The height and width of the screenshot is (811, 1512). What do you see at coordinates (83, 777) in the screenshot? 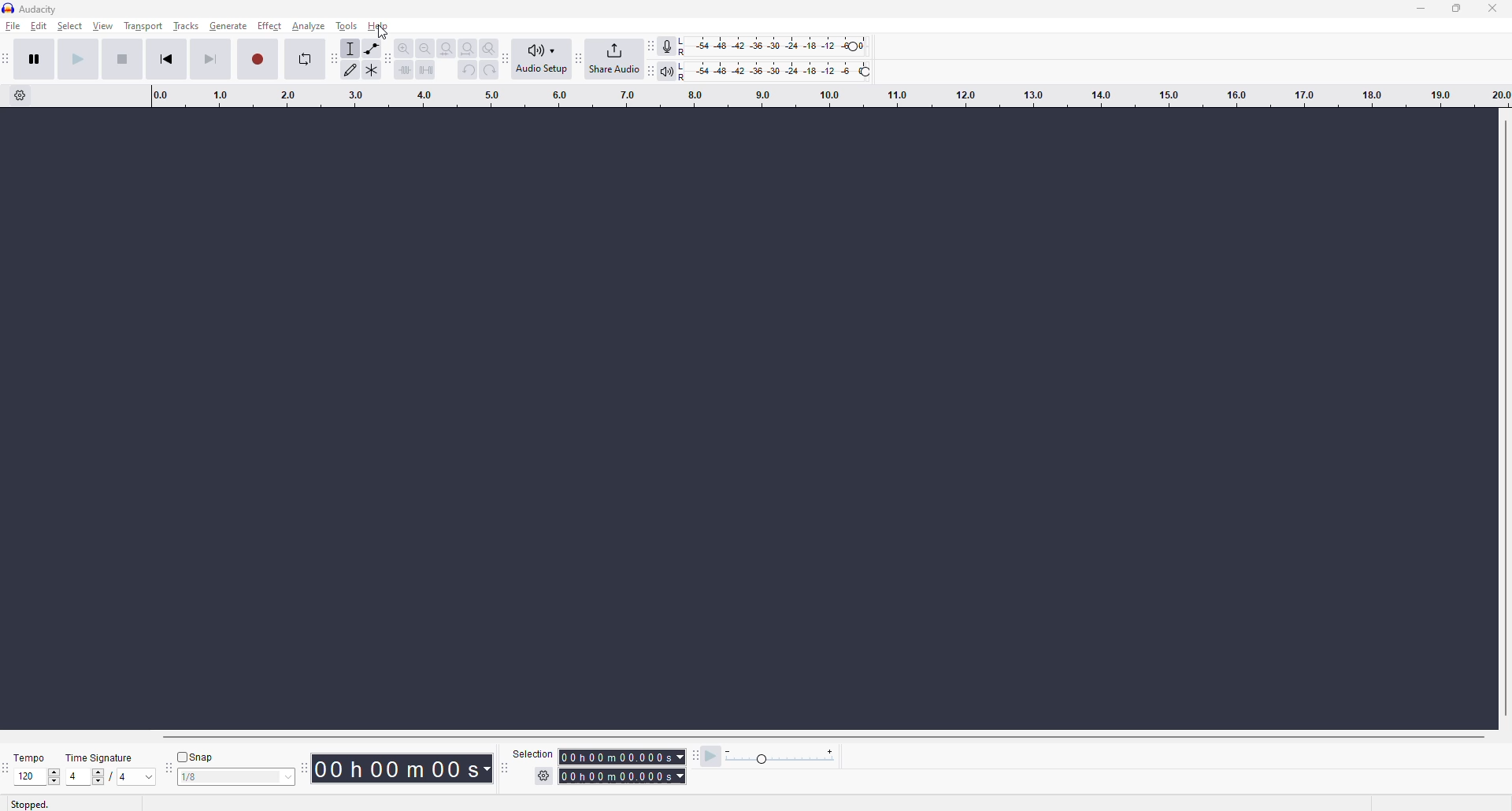
I see `value` at bounding box center [83, 777].